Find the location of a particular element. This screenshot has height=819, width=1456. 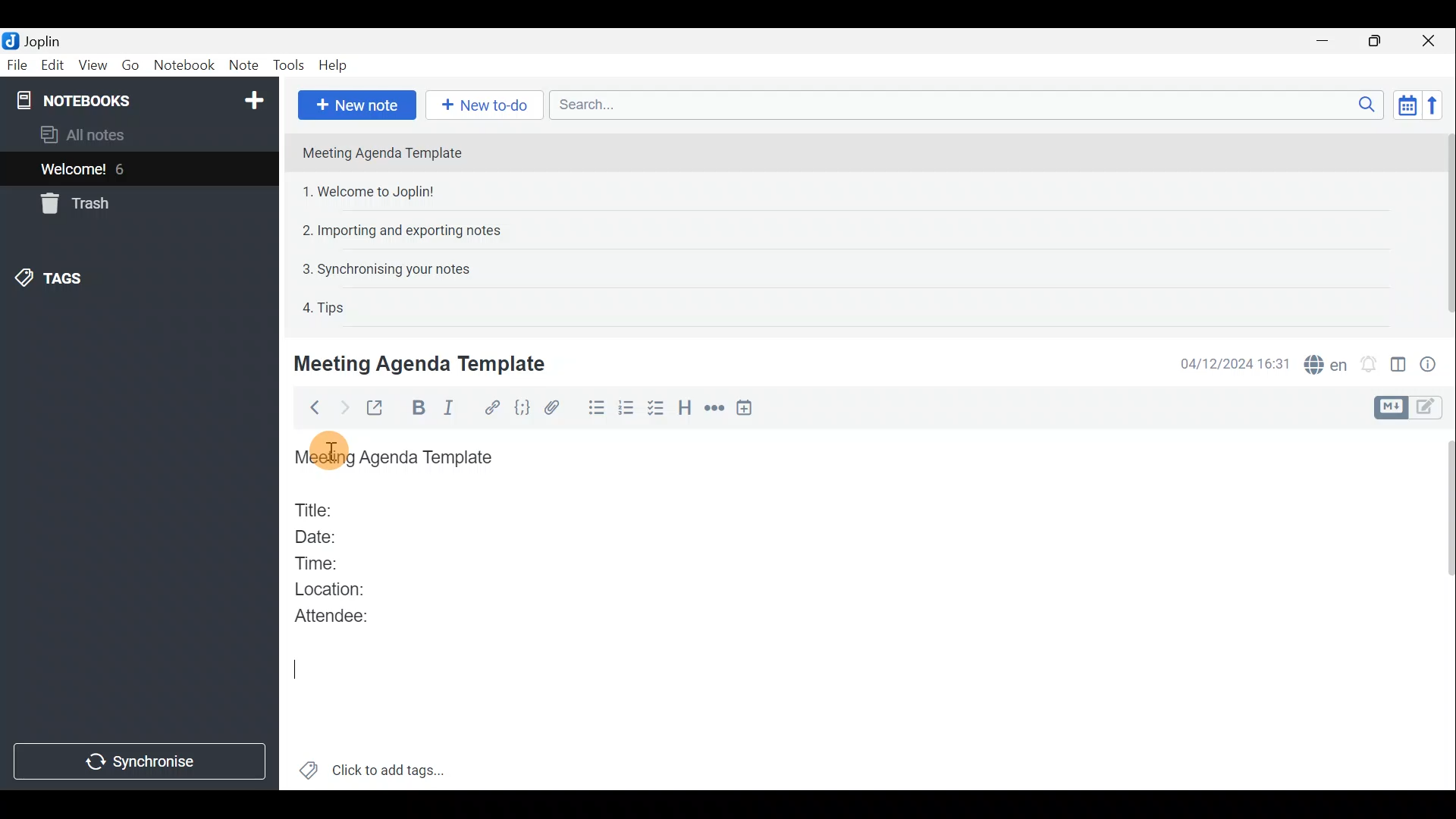

Checkbox is located at coordinates (654, 409).